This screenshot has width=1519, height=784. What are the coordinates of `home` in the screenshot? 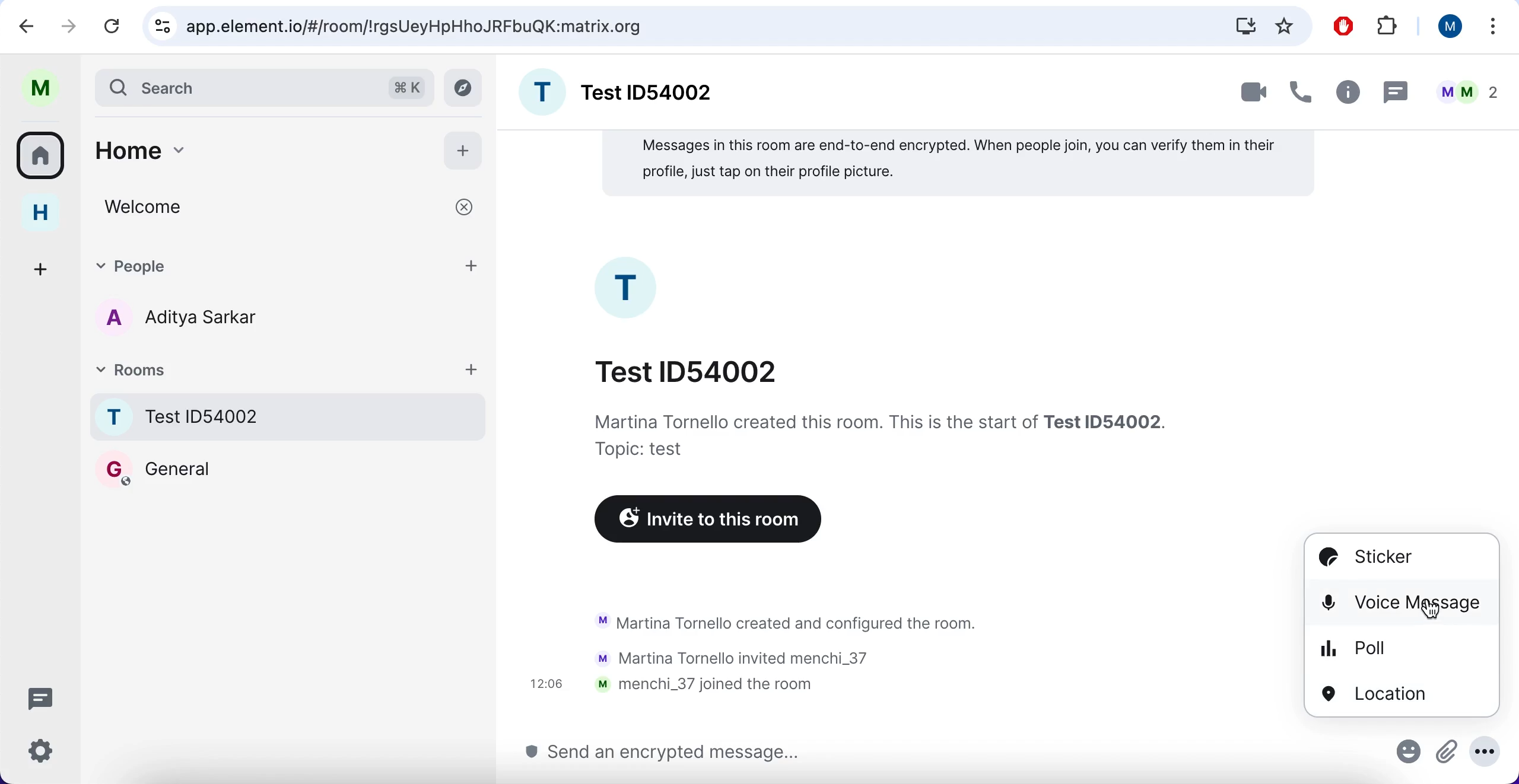 It's located at (40, 214).